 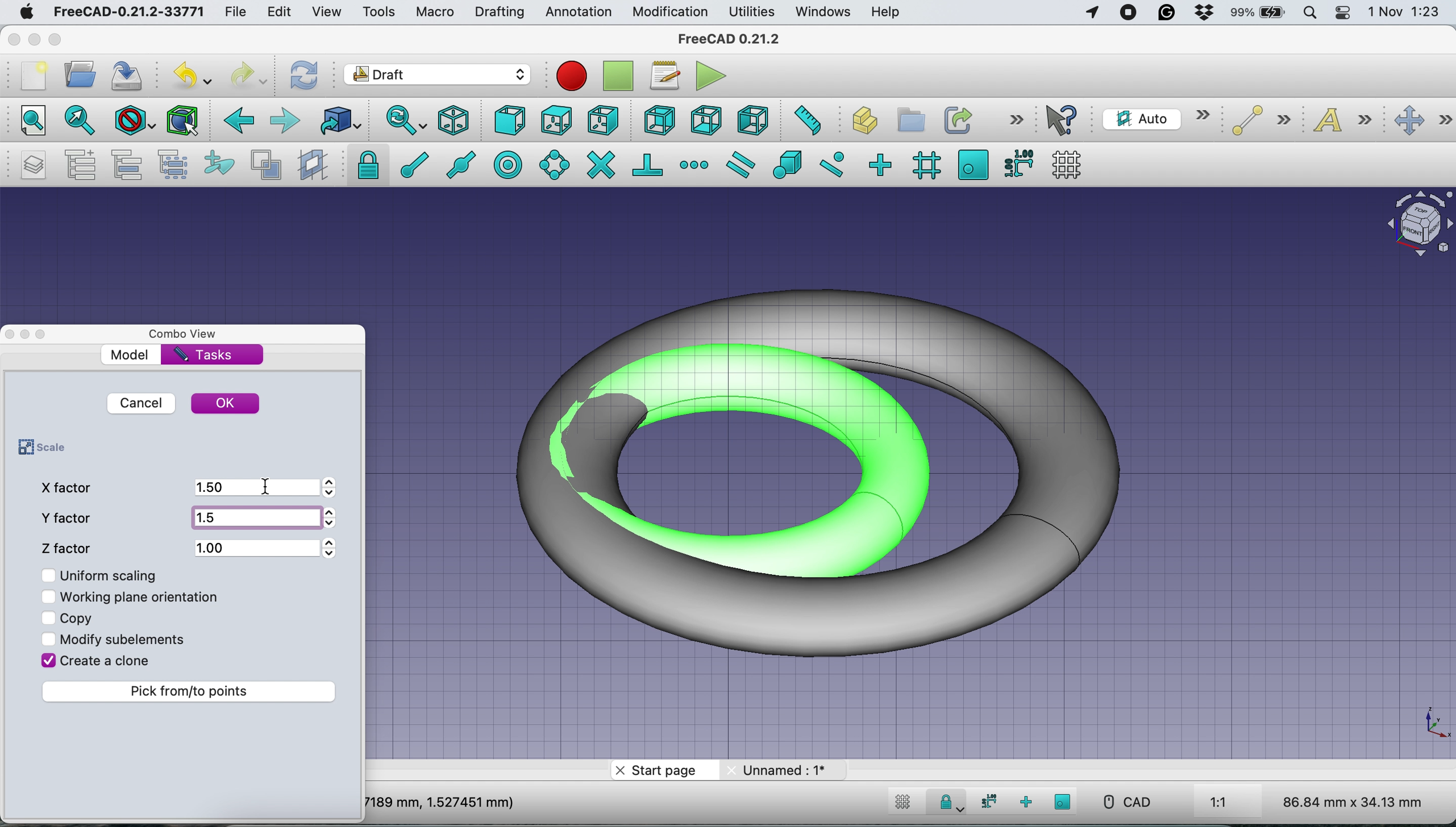 What do you see at coordinates (240, 12) in the screenshot?
I see `file` at bounding box center [240, 12].